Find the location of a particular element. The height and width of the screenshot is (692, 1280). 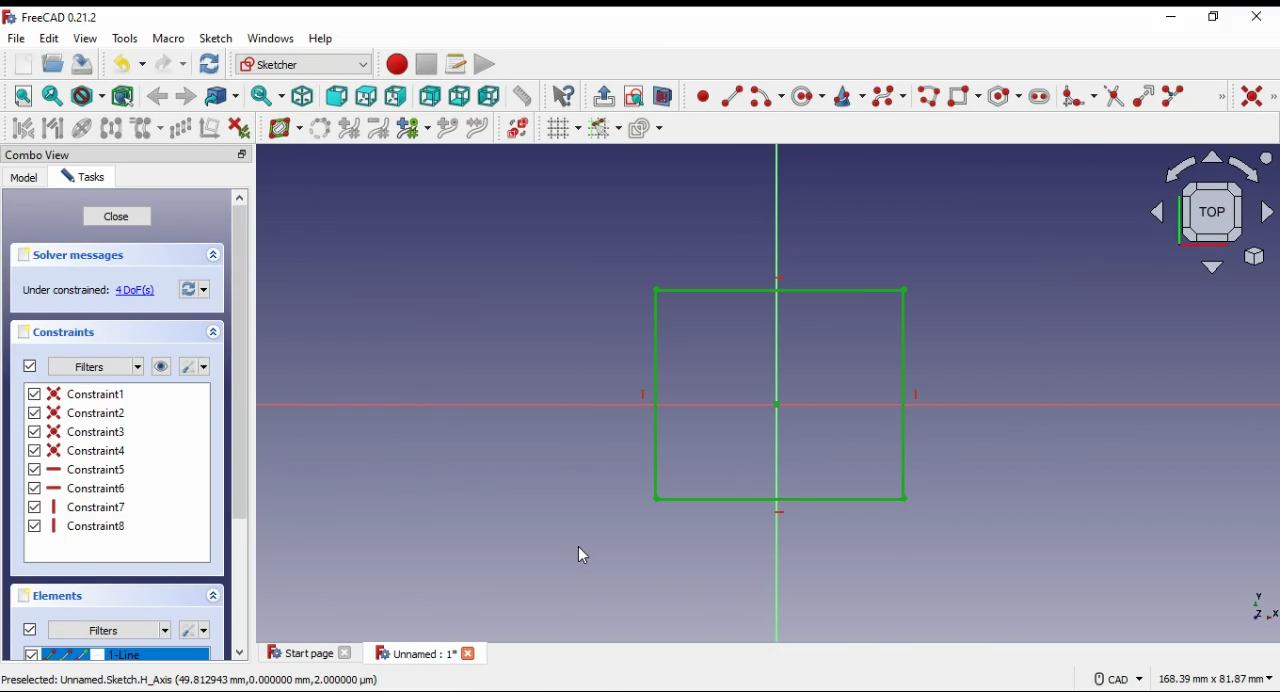

back is located at coordinates (159, 98).